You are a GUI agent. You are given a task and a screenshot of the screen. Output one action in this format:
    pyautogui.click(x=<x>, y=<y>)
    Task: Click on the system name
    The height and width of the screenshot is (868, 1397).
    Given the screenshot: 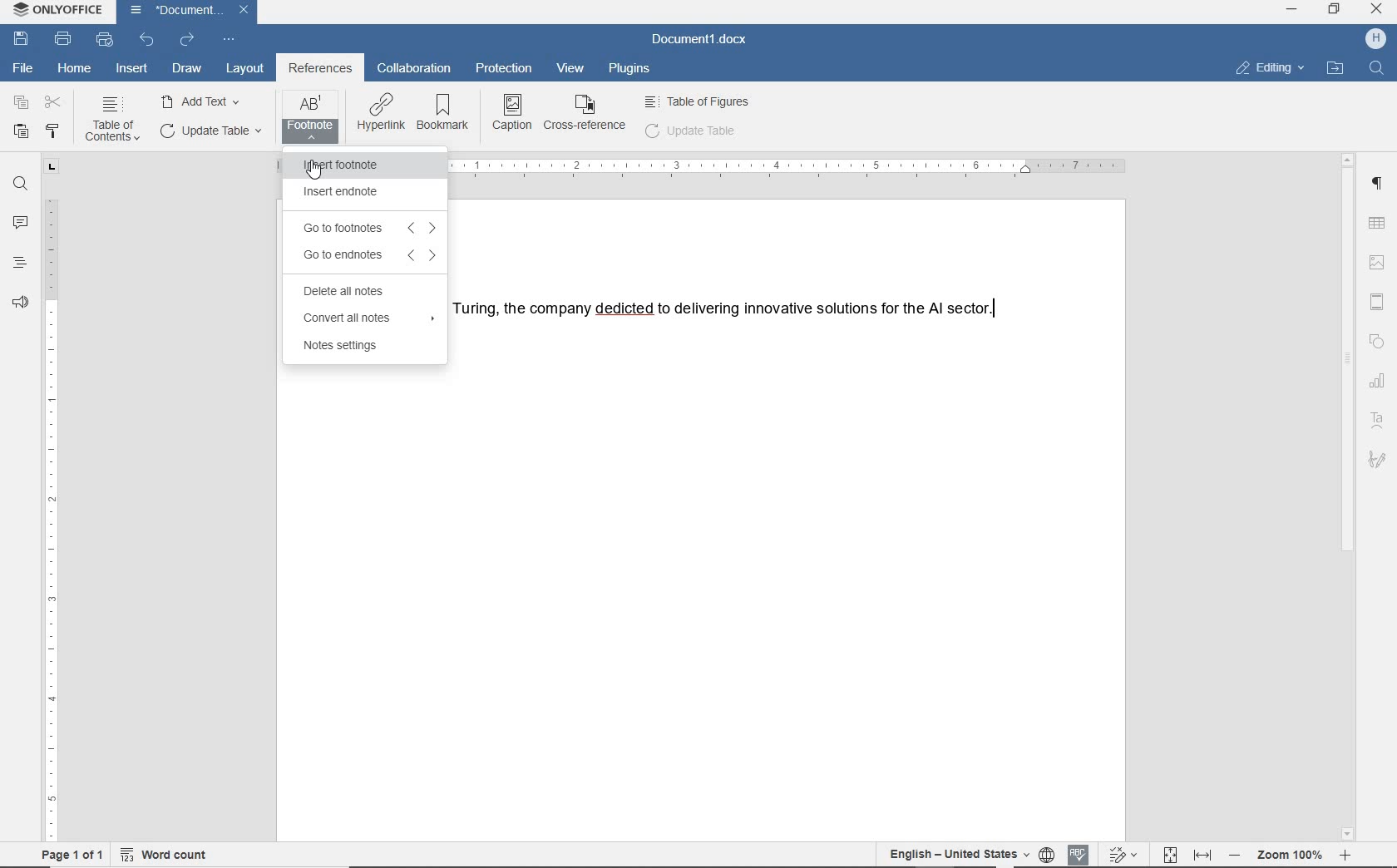 What is the action you would take?
    pyautogui.click(x=59, y=10)
    